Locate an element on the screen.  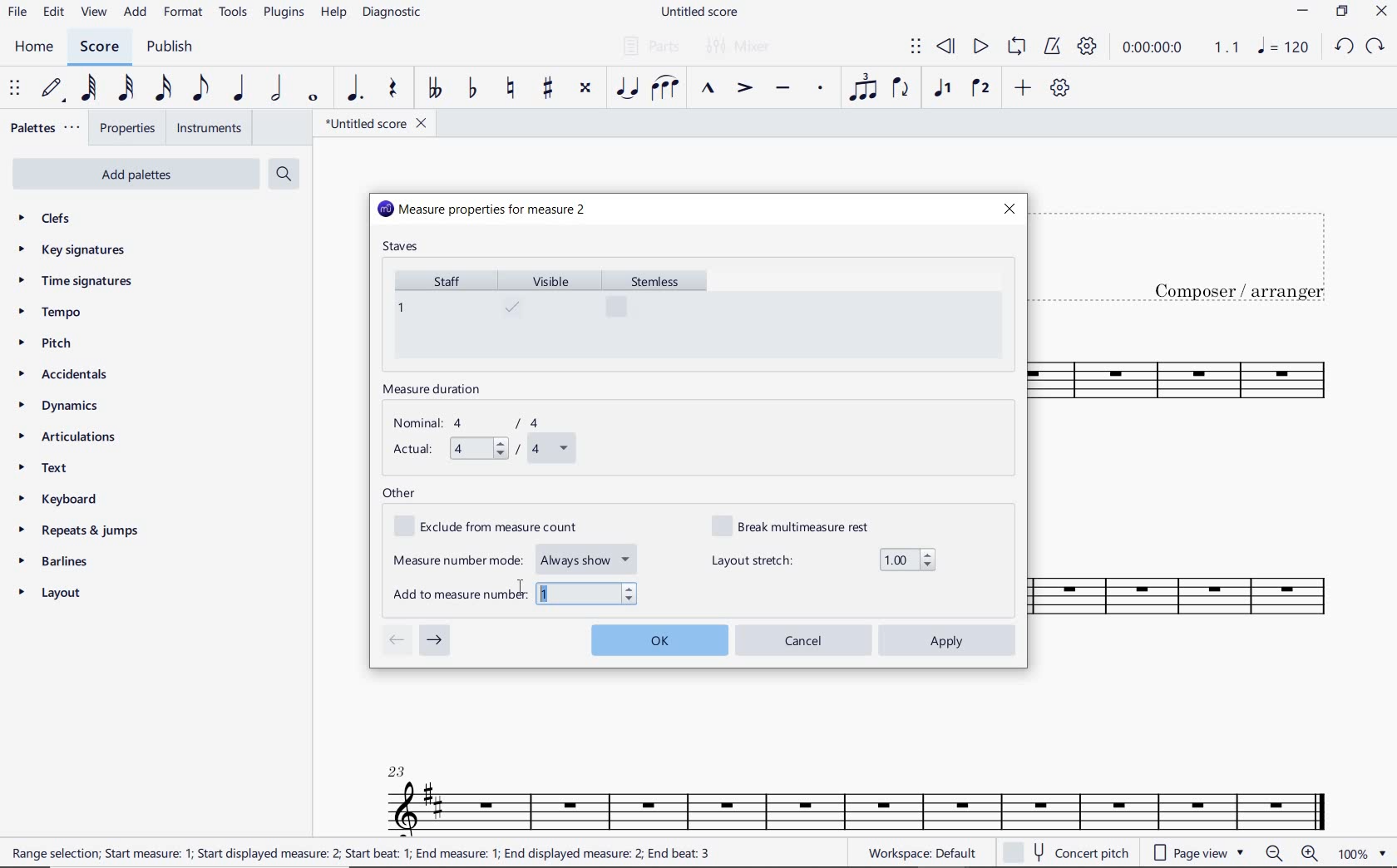
KEY SIGNATURES is located at coordinates (77, 249).